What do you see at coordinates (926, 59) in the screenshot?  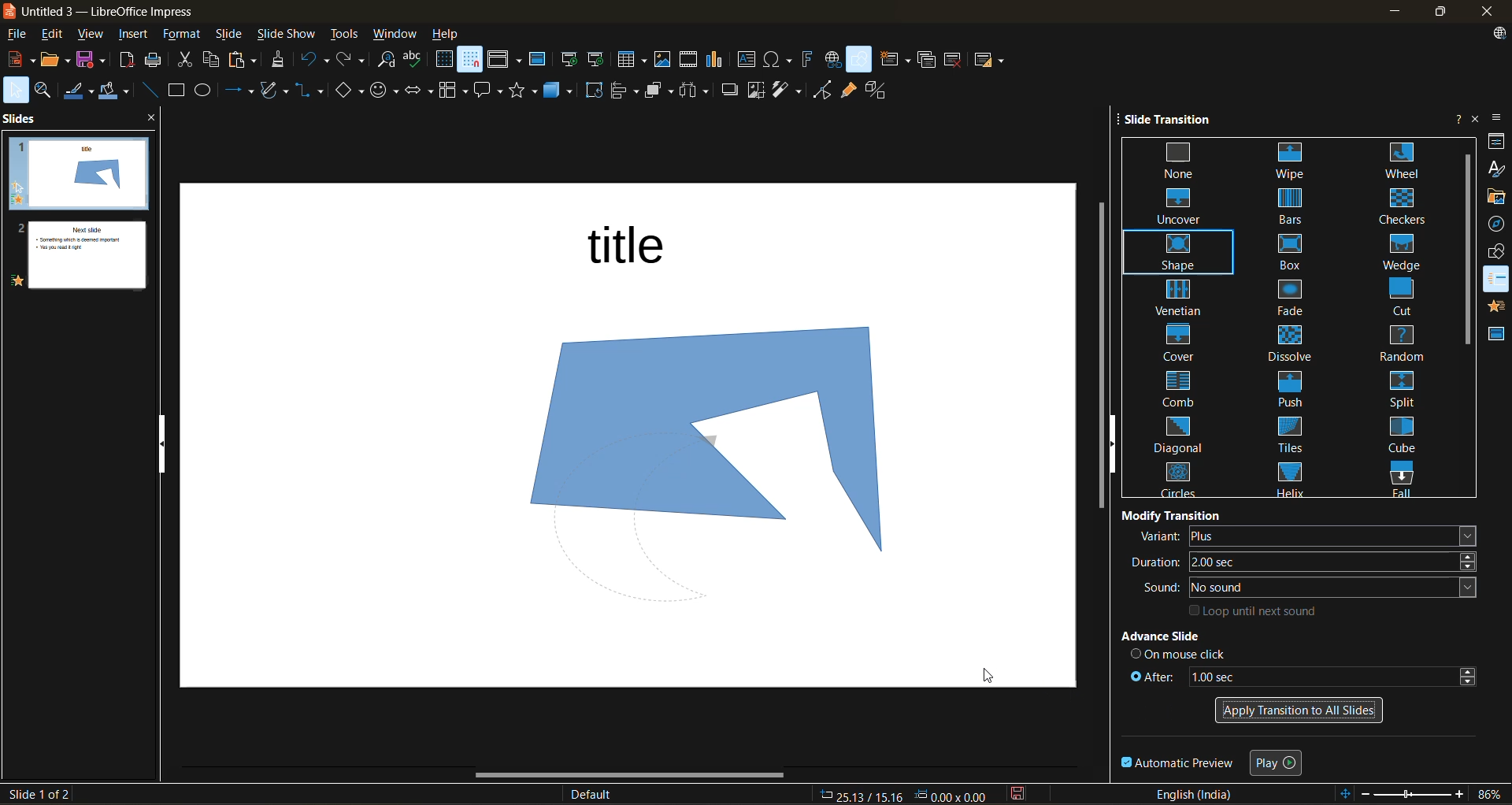 I see `duplicate slide` at bounding box center [926, 59].